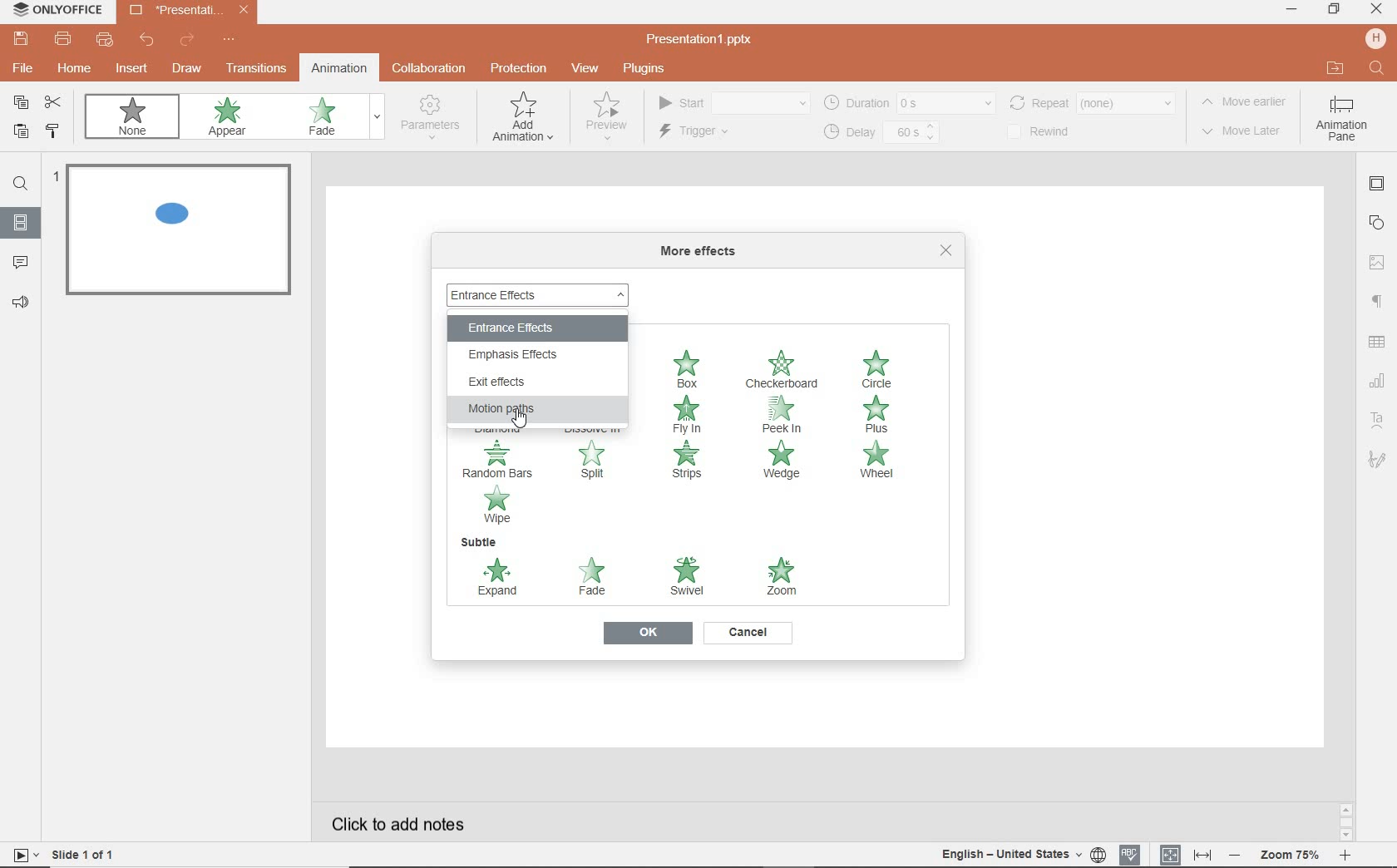  What do you see at coordinates (20, 855) in the screenshot?
I see `start slide show` at bounding box center [20, 855].